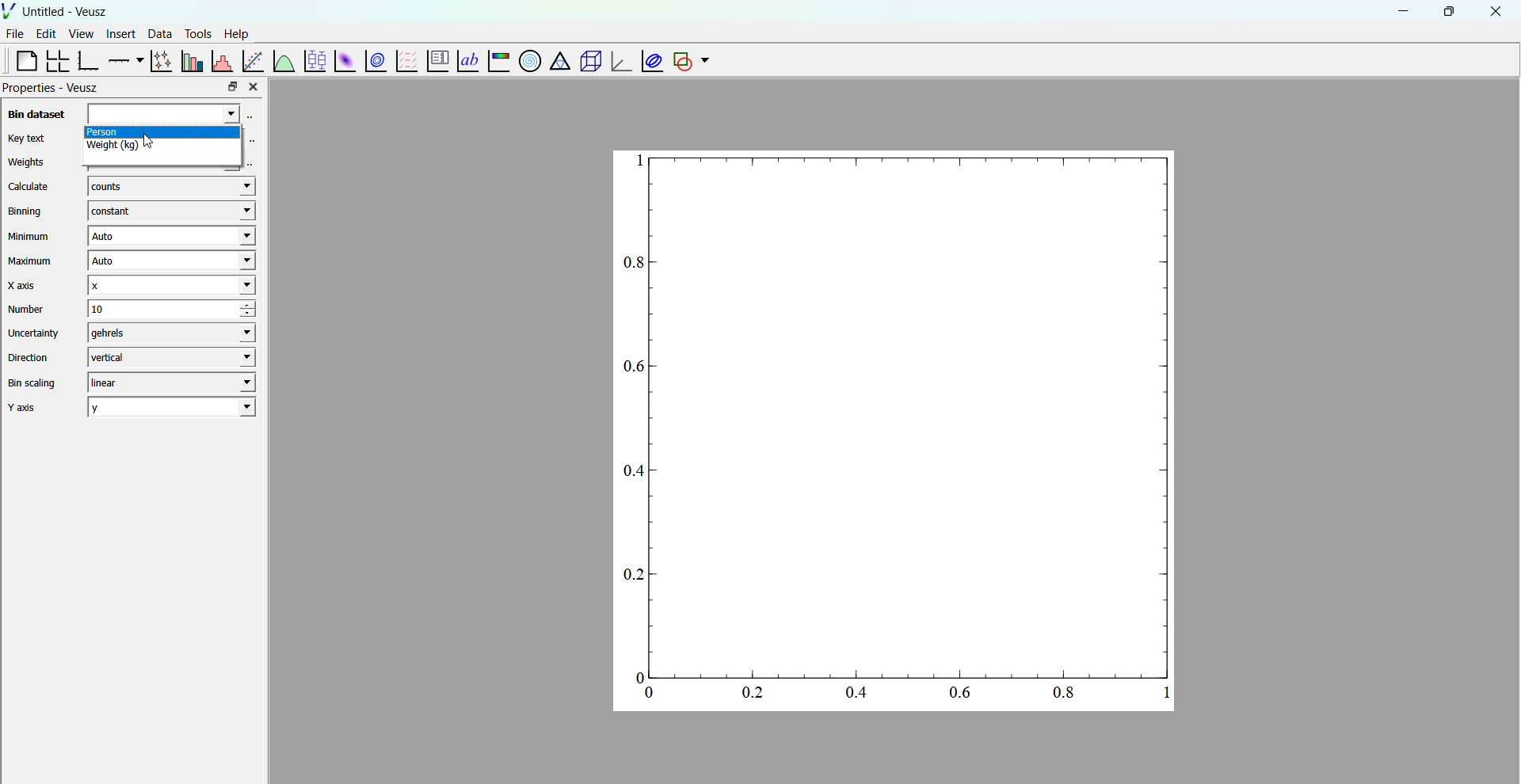 Image resolution: width=1521 pixels, height=784 pixels. What do you see at coordinates (1166, 693) in the screenshot?
I see `1` at bounding box center [1166, 693].